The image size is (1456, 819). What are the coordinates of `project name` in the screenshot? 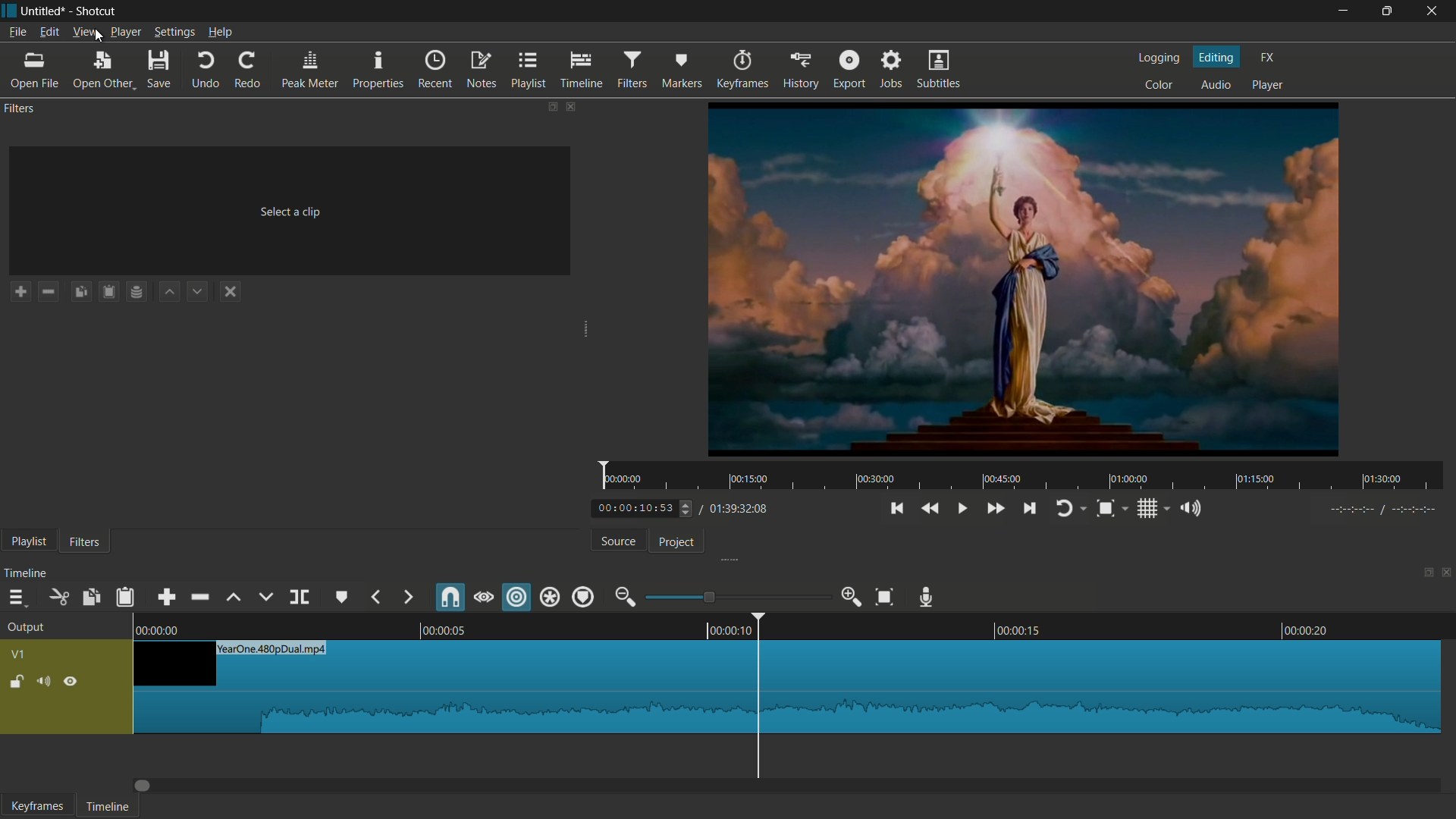 It's located at (45, 11).